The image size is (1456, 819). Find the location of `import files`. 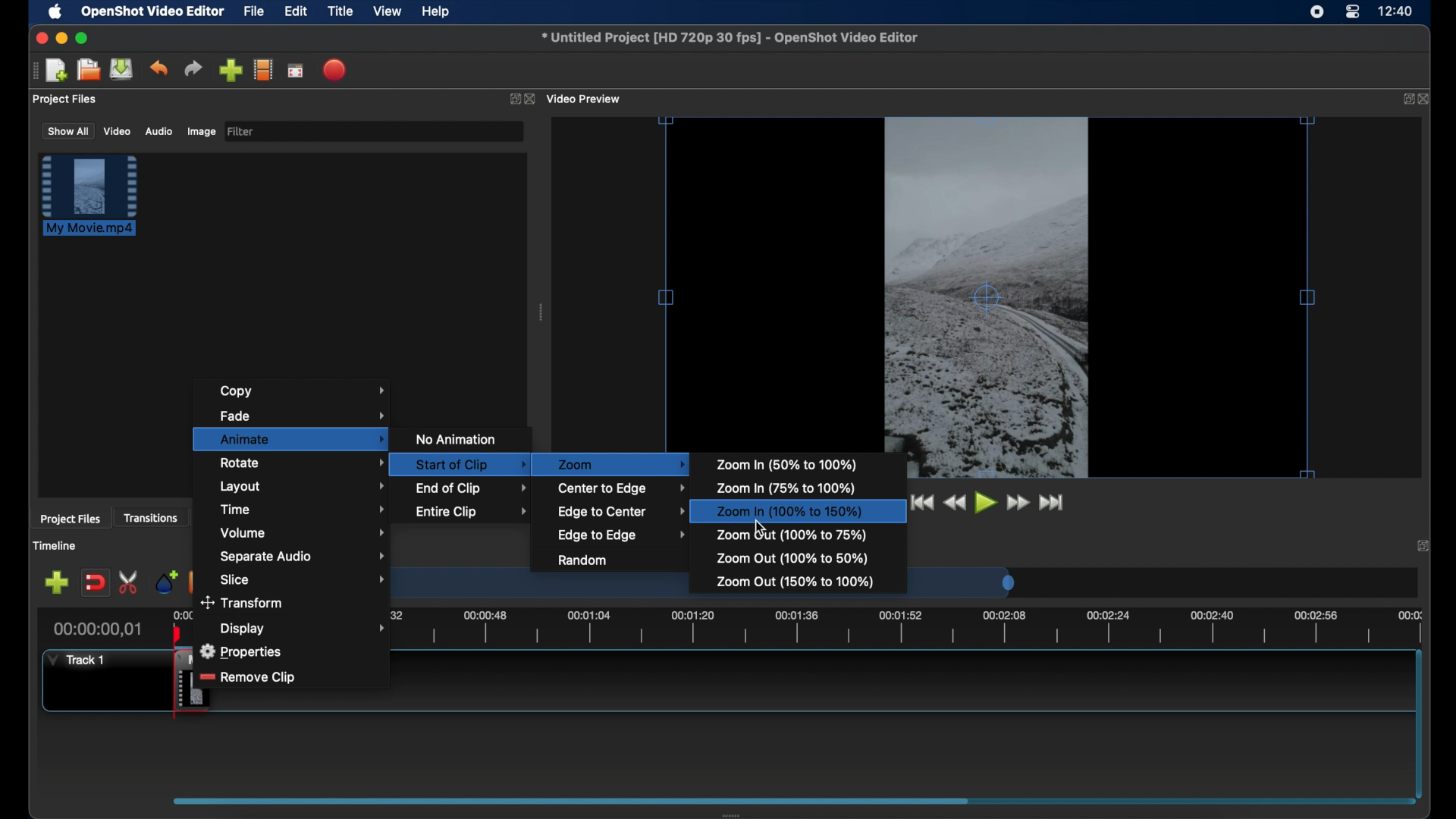

import files is located at coordinates (231, 71).